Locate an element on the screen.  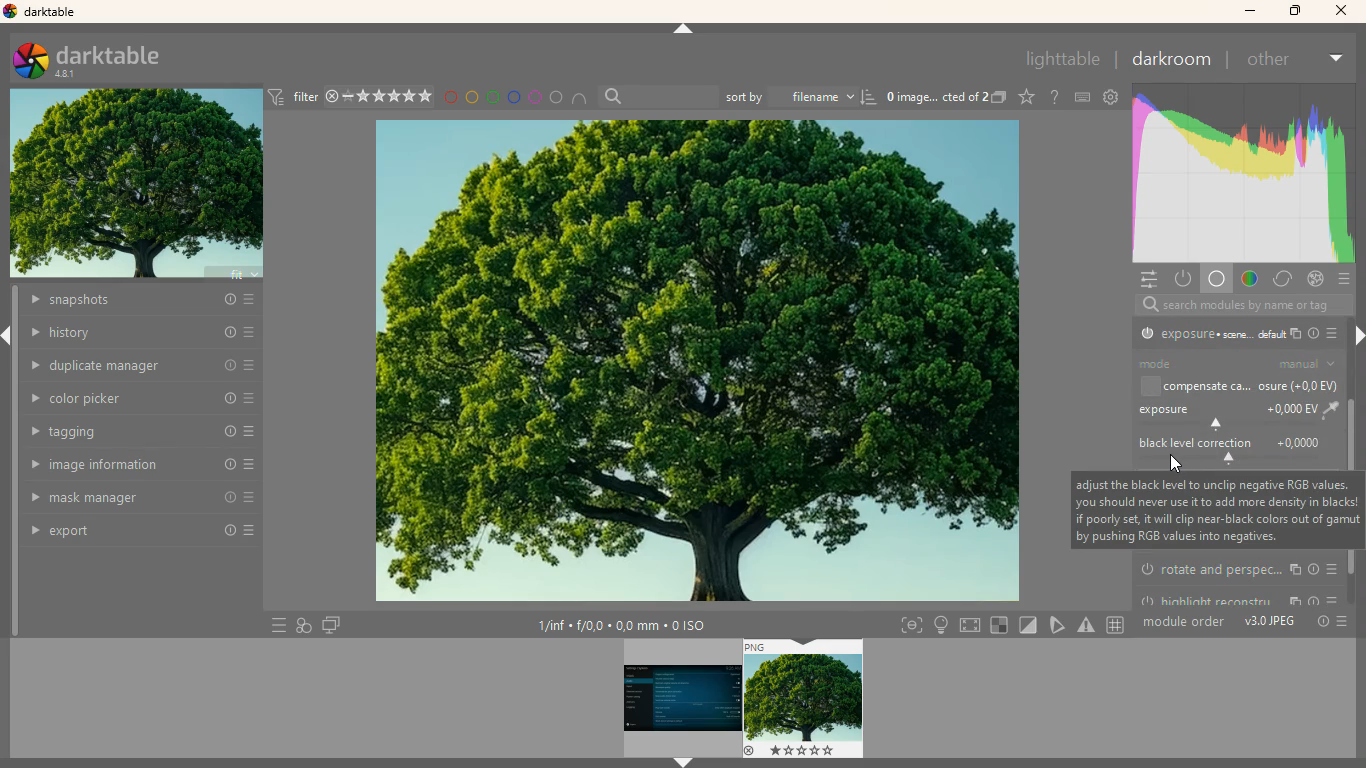
description is located at coordinates (1214, 510).